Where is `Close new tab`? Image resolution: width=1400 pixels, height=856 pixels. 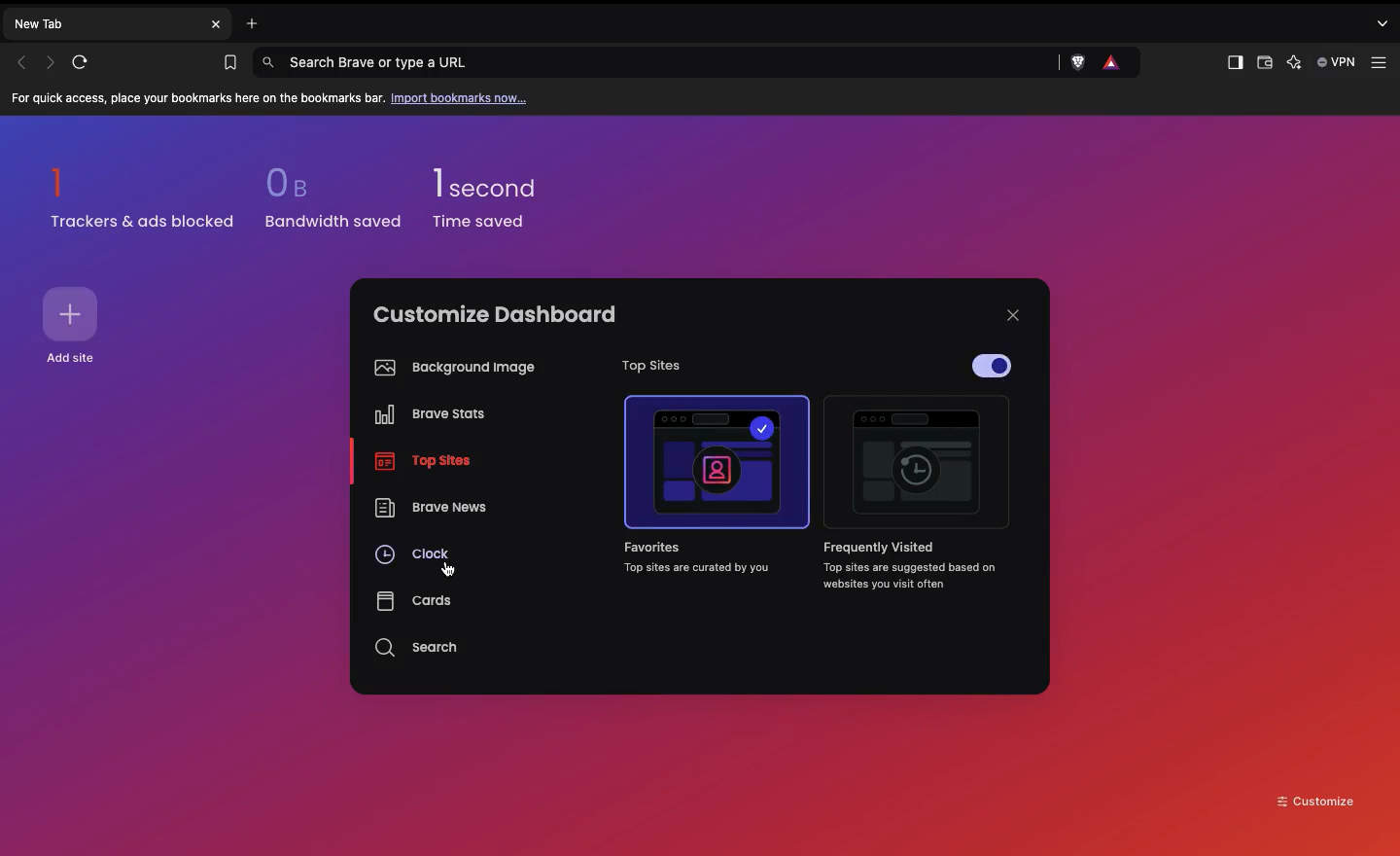
Close new tab is located at coordinates (216, 24).